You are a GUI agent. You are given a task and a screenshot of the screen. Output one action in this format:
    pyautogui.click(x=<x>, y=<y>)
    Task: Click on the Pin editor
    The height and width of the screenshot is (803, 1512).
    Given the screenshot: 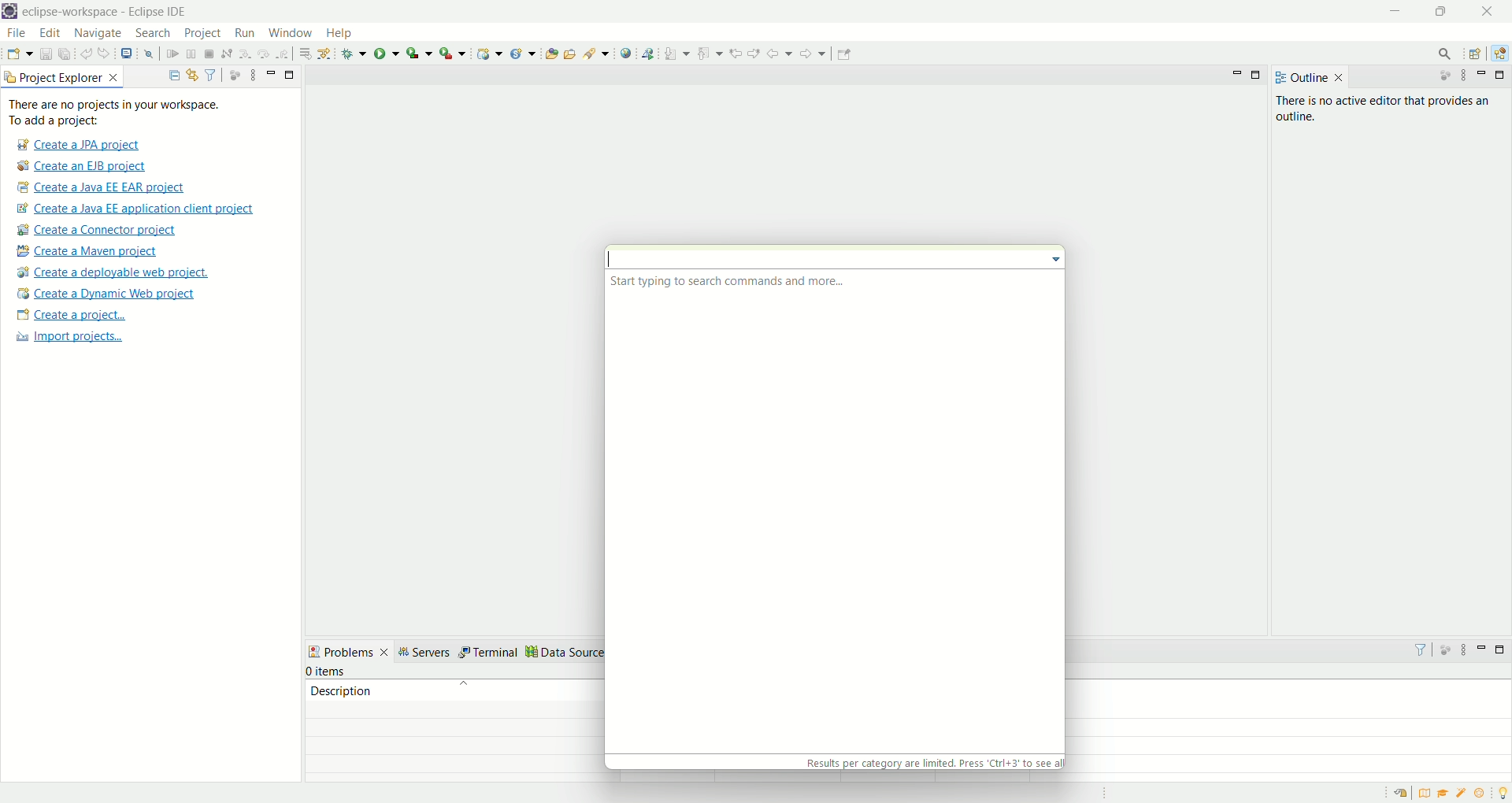 What is the action you would take?
    pyautogui.click(x=847, y=55)
    